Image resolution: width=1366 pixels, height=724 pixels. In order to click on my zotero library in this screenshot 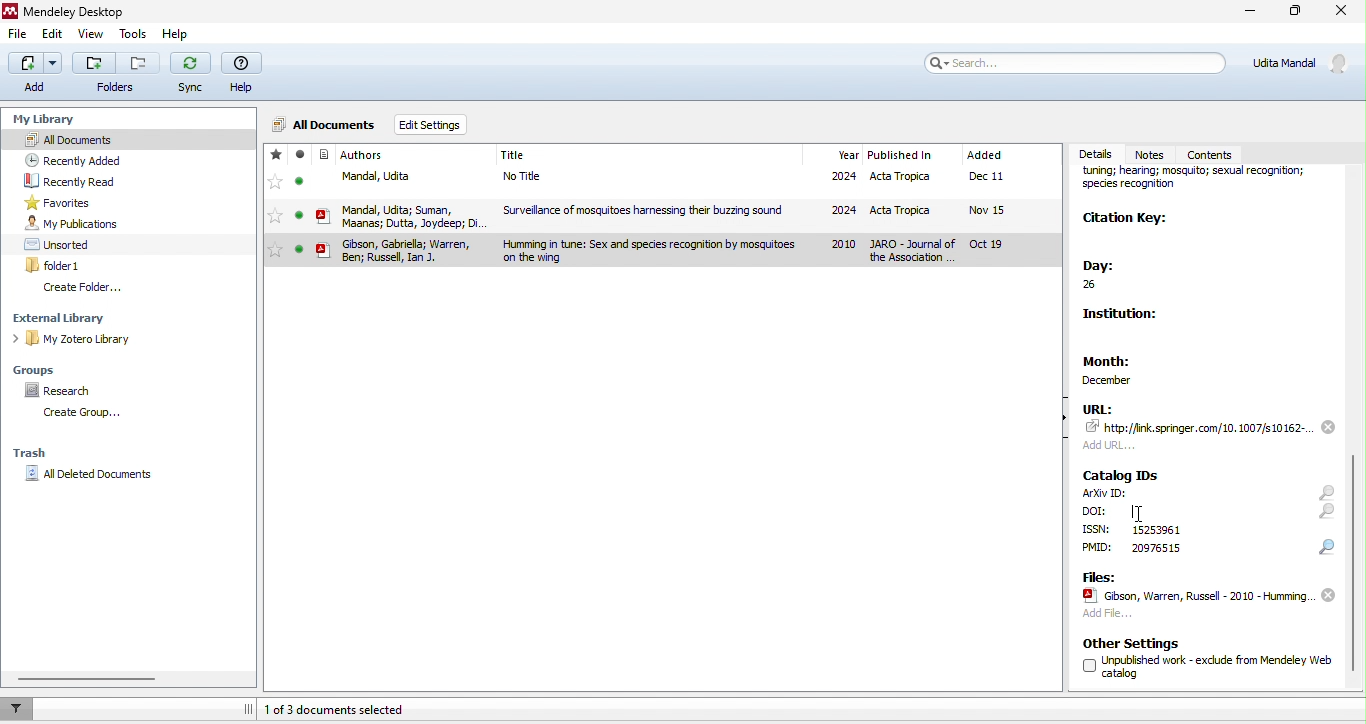, I will do `click(76, 341)`.